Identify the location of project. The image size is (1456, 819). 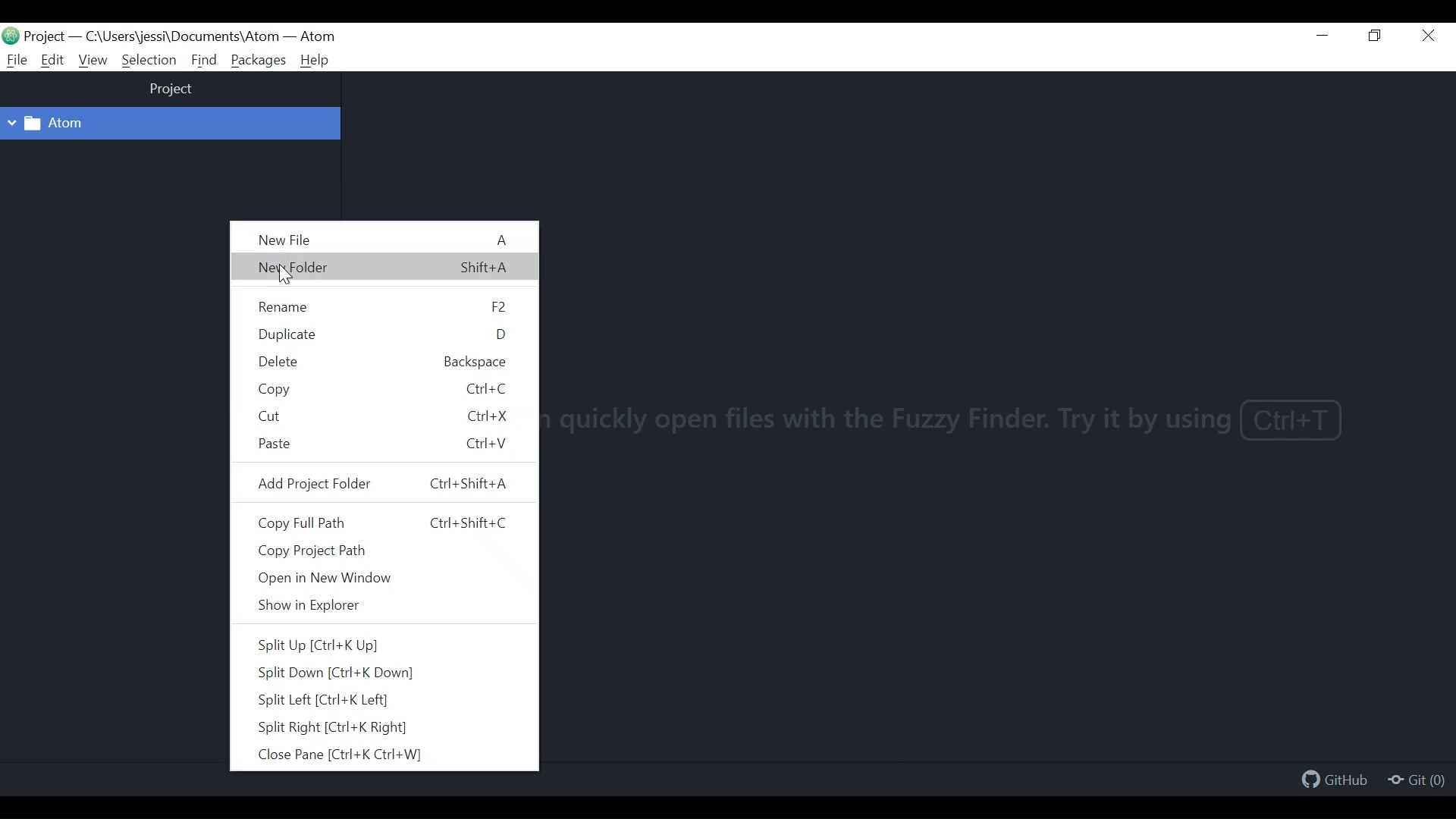
(172, 90).